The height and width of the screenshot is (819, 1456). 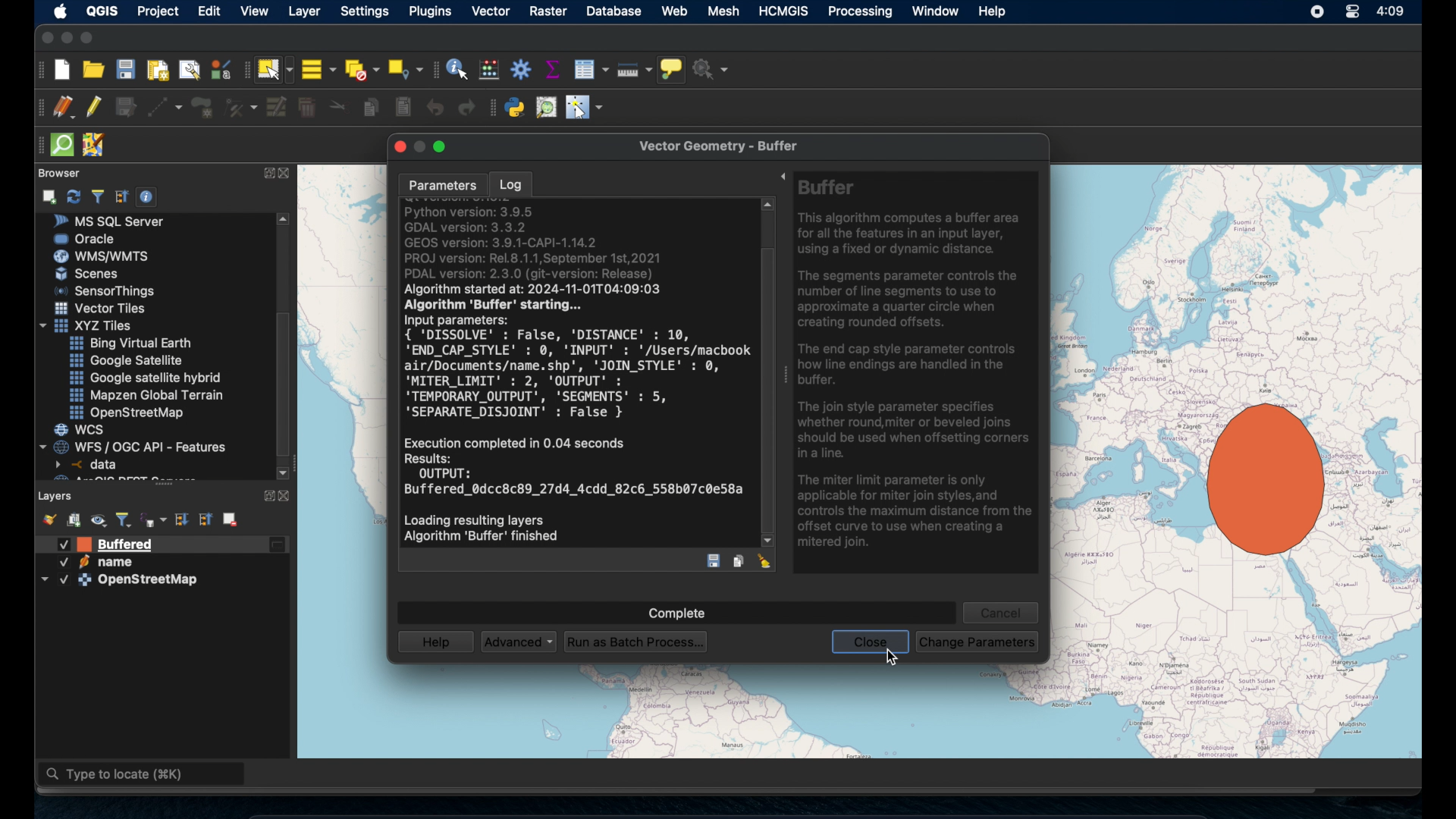 What do you see at coordinates (48, 518) in the screenshot?
I see `style manager` at bounding box center [48, 518].